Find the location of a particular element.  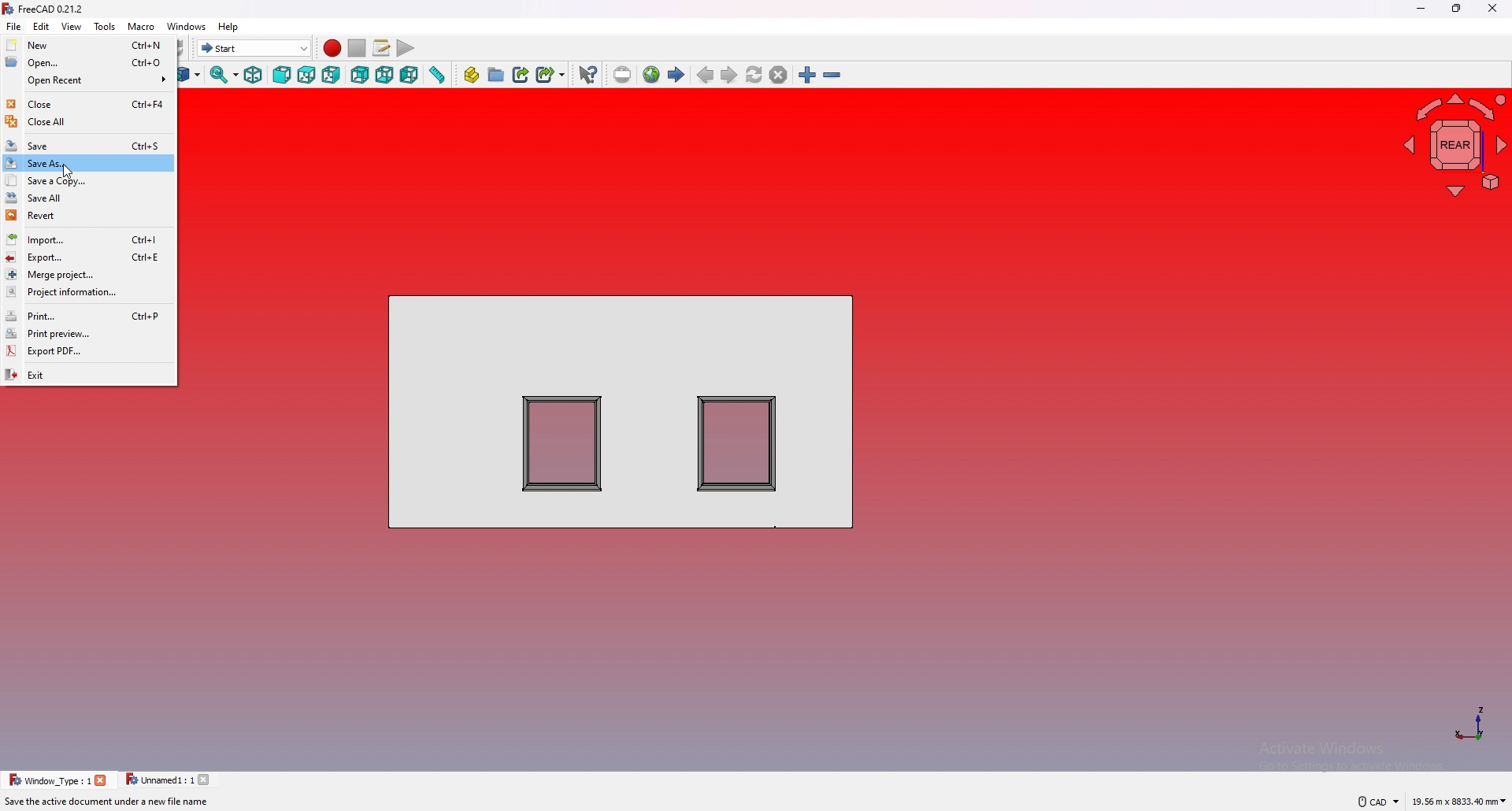

create part is located at coordinates (472, 76).